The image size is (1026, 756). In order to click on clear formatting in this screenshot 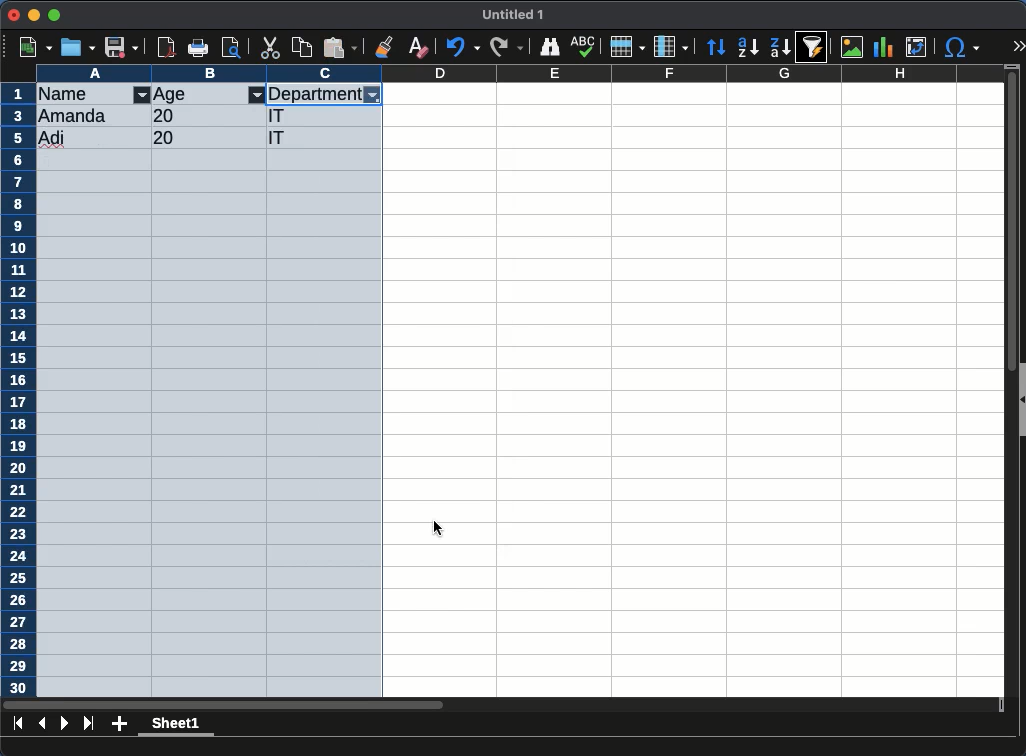, I will do `click(418, 46)`.